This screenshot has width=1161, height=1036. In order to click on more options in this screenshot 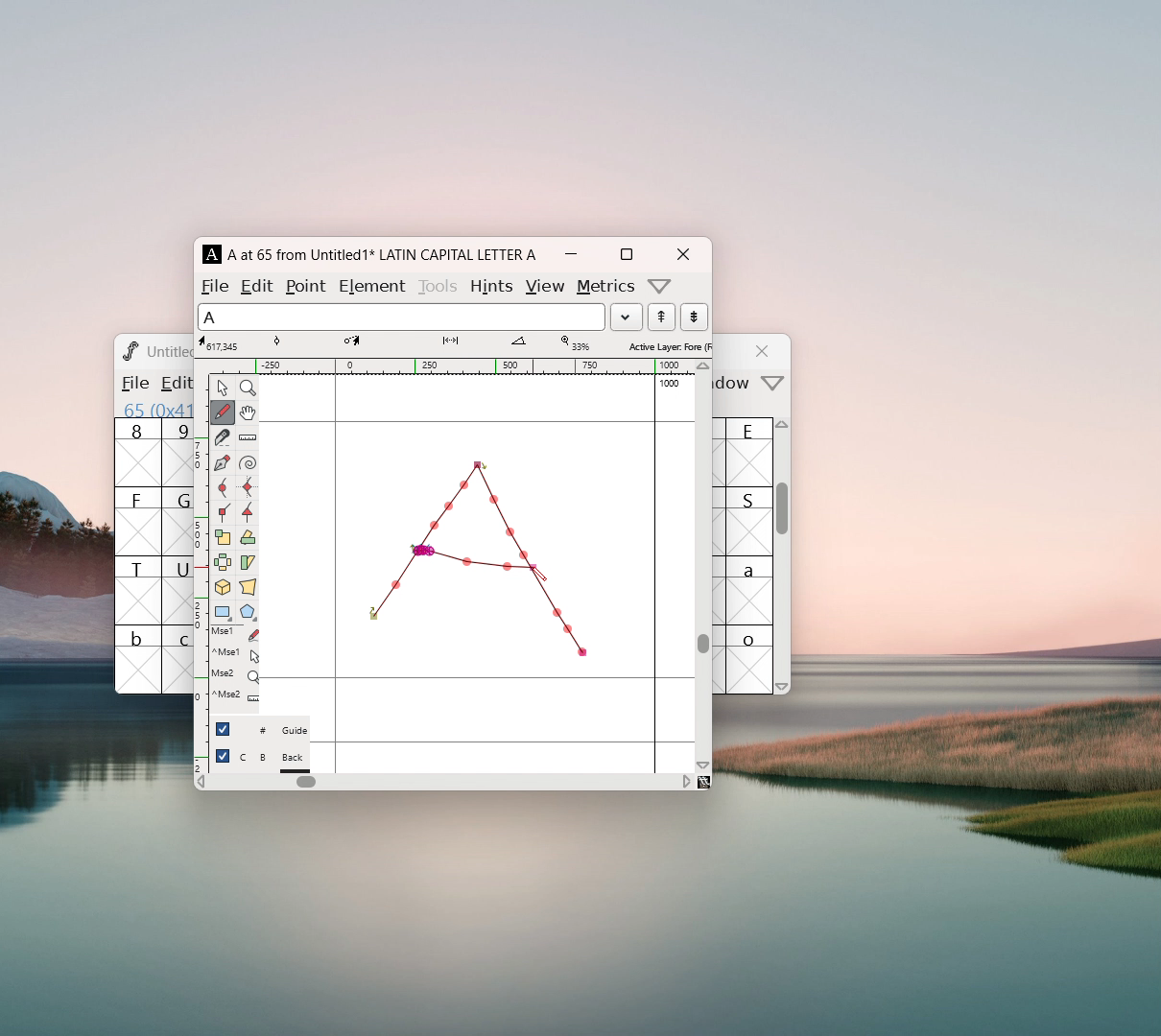, I will do `click(773, 385)`.